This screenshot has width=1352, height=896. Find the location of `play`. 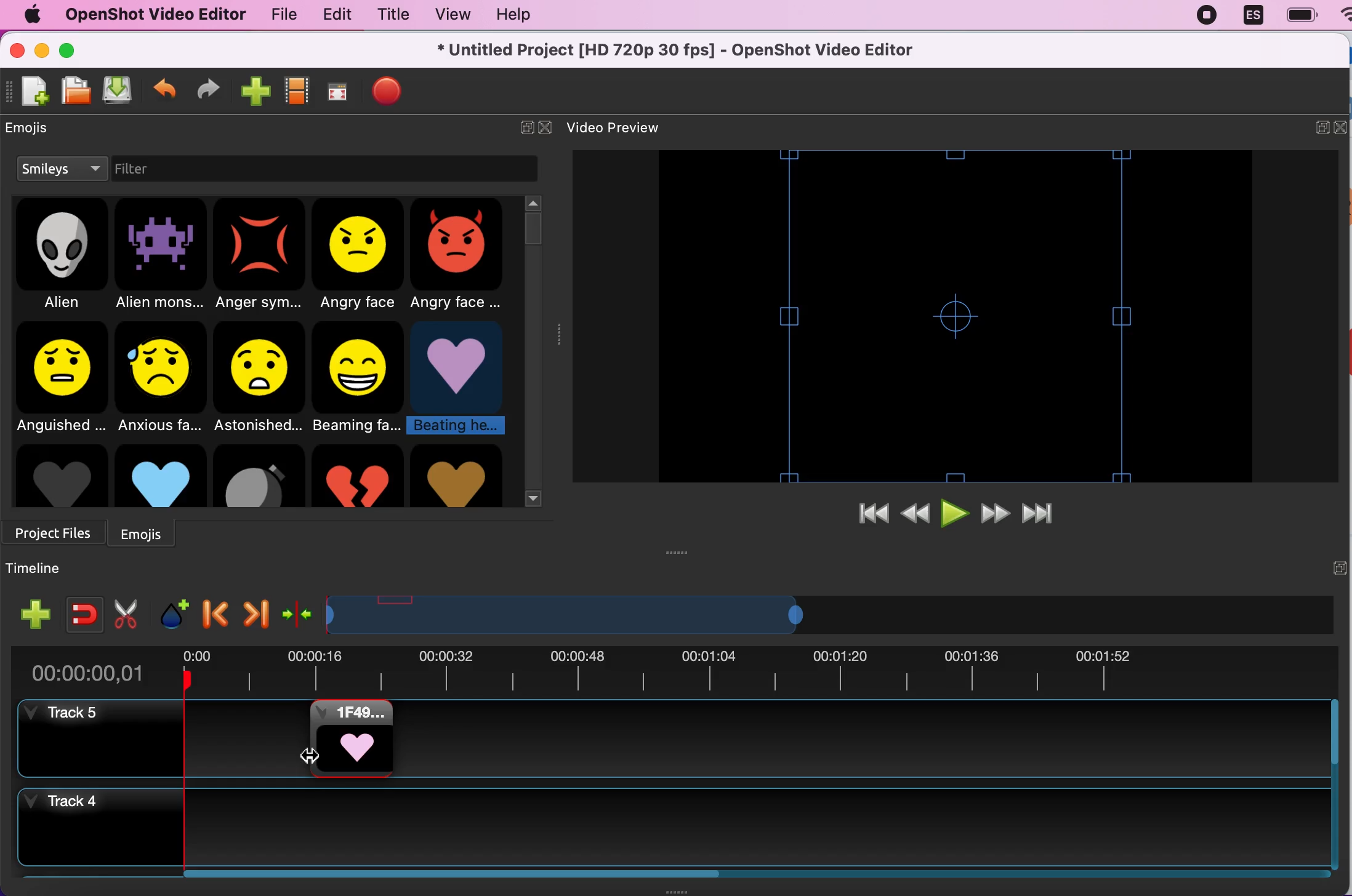

play is located at coordinates (956, 511).